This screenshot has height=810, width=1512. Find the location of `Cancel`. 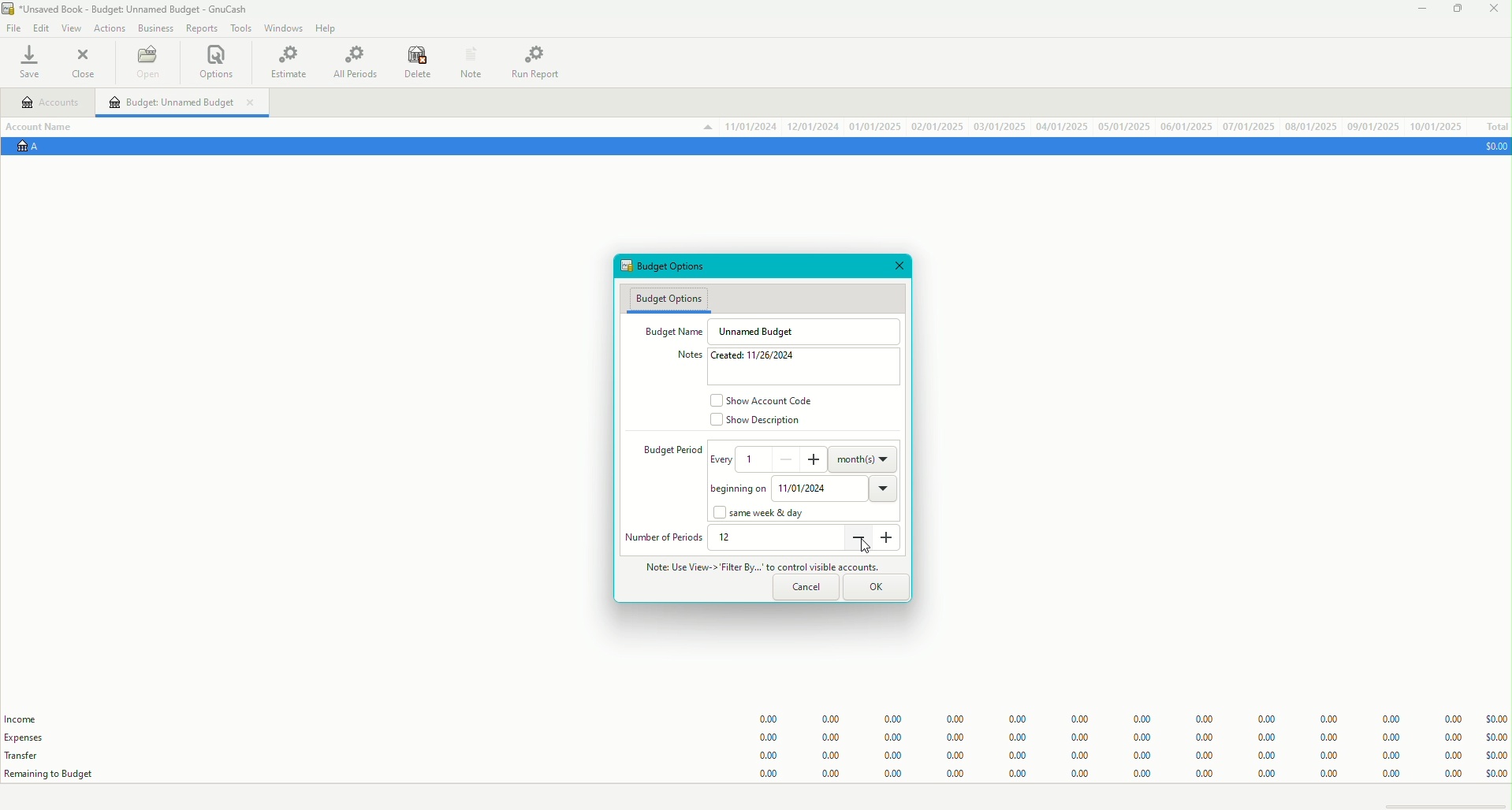

Cancel is located at coordinates (806, 588).